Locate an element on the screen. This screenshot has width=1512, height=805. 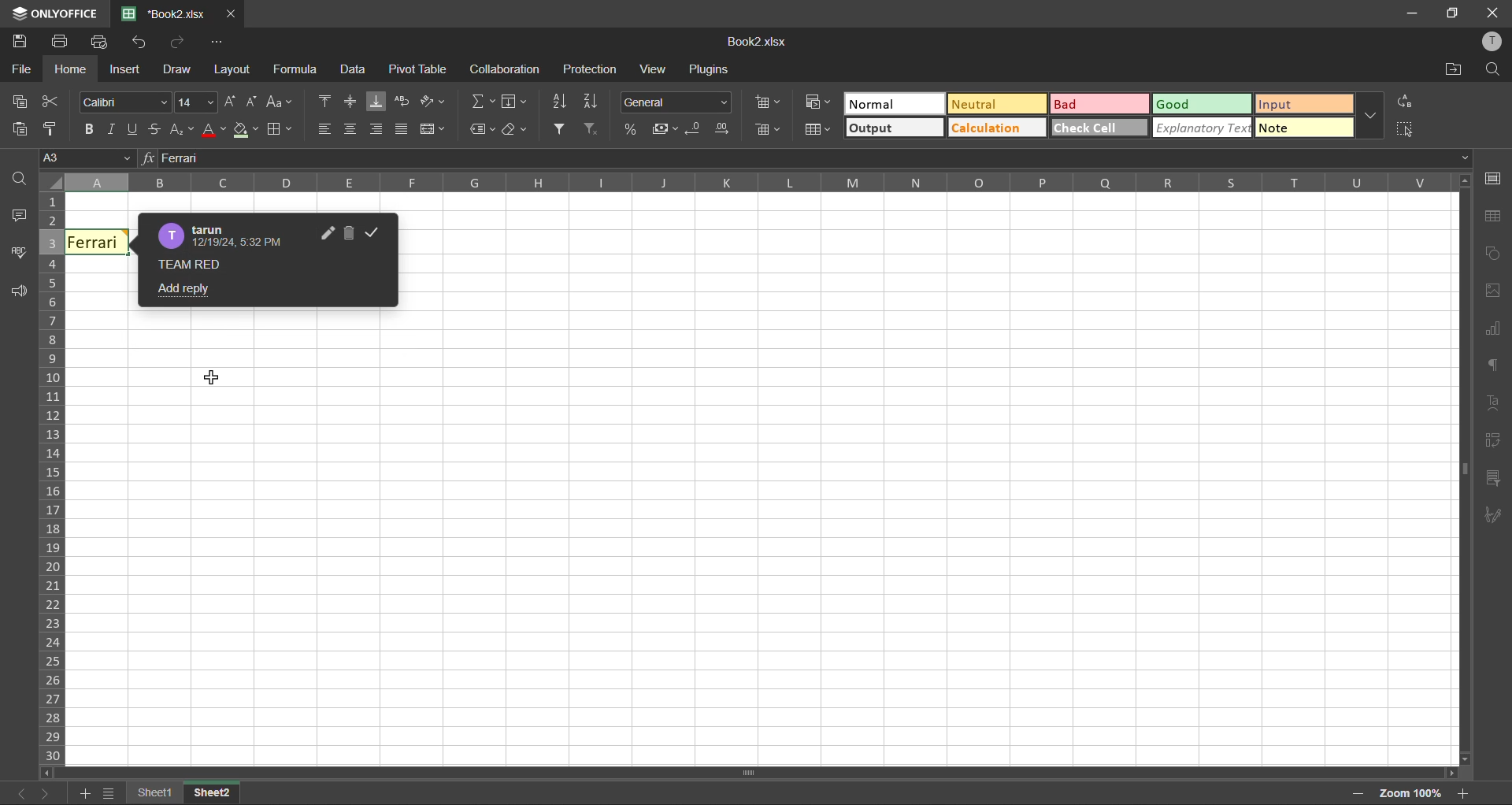
named ranges is located at coordinates (482, 127).